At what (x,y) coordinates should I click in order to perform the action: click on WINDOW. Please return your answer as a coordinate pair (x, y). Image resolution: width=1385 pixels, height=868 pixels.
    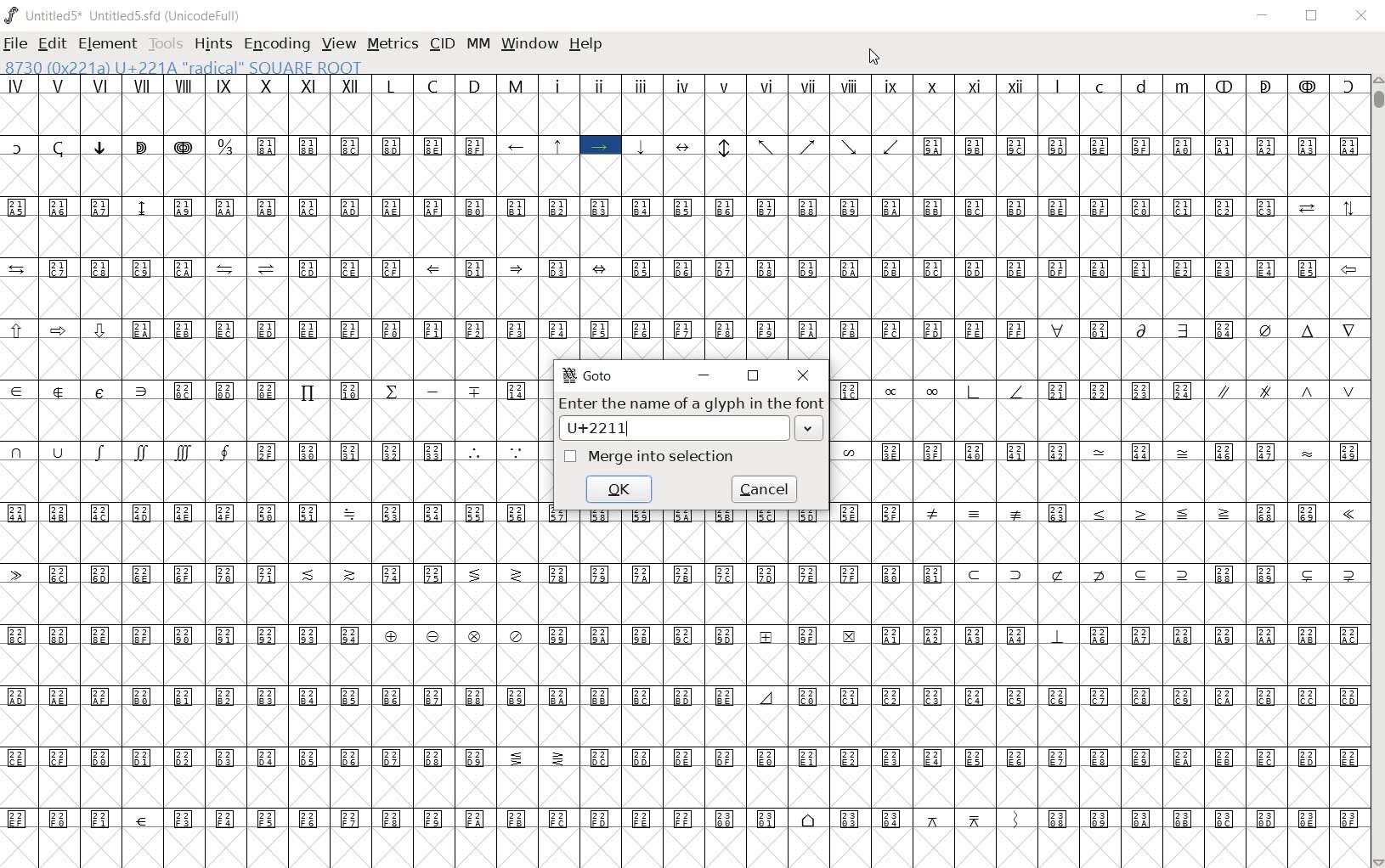
    Looking at the image, I should click on (529, 44).